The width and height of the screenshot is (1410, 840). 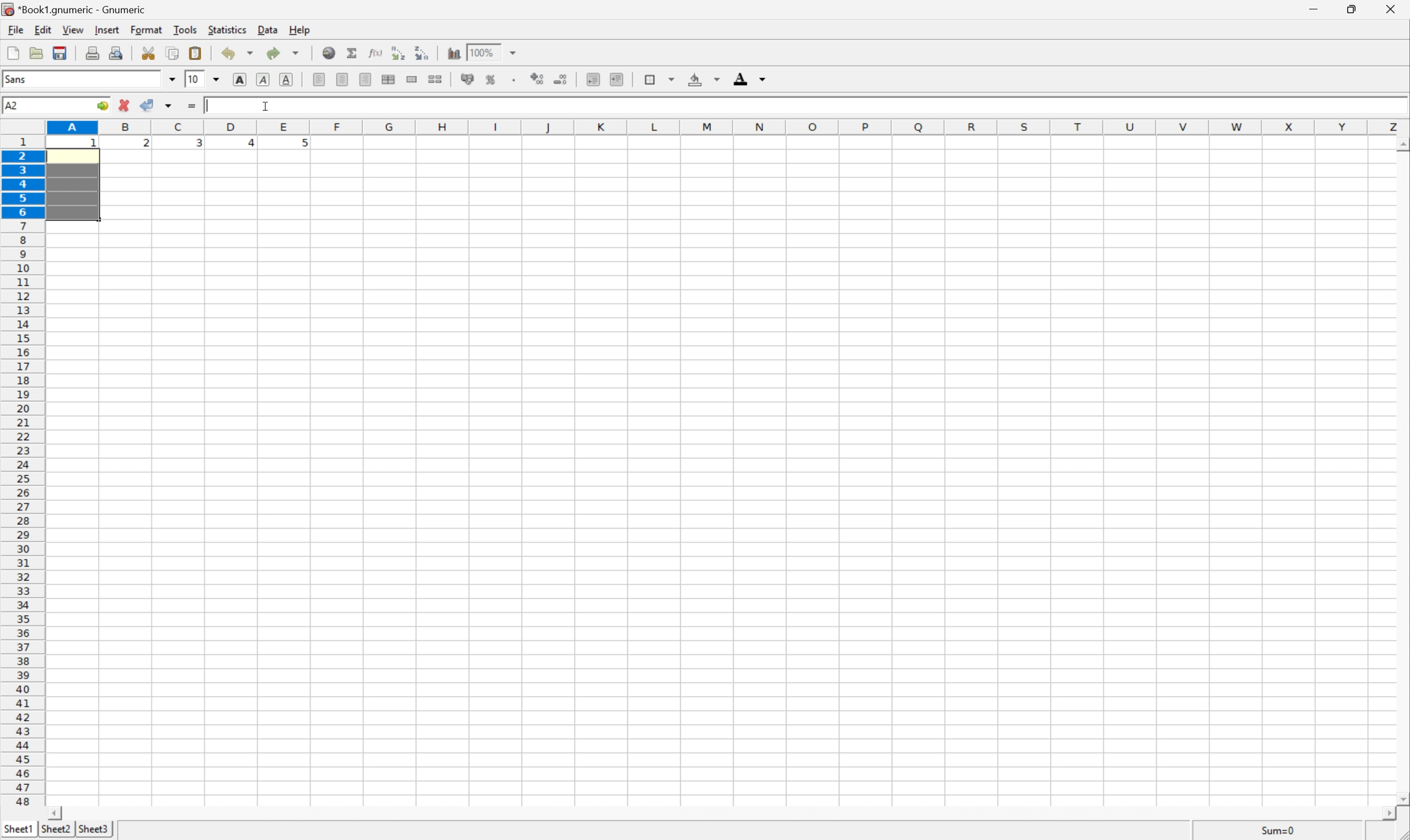 I want to click on help, so click(x=297, y=29).